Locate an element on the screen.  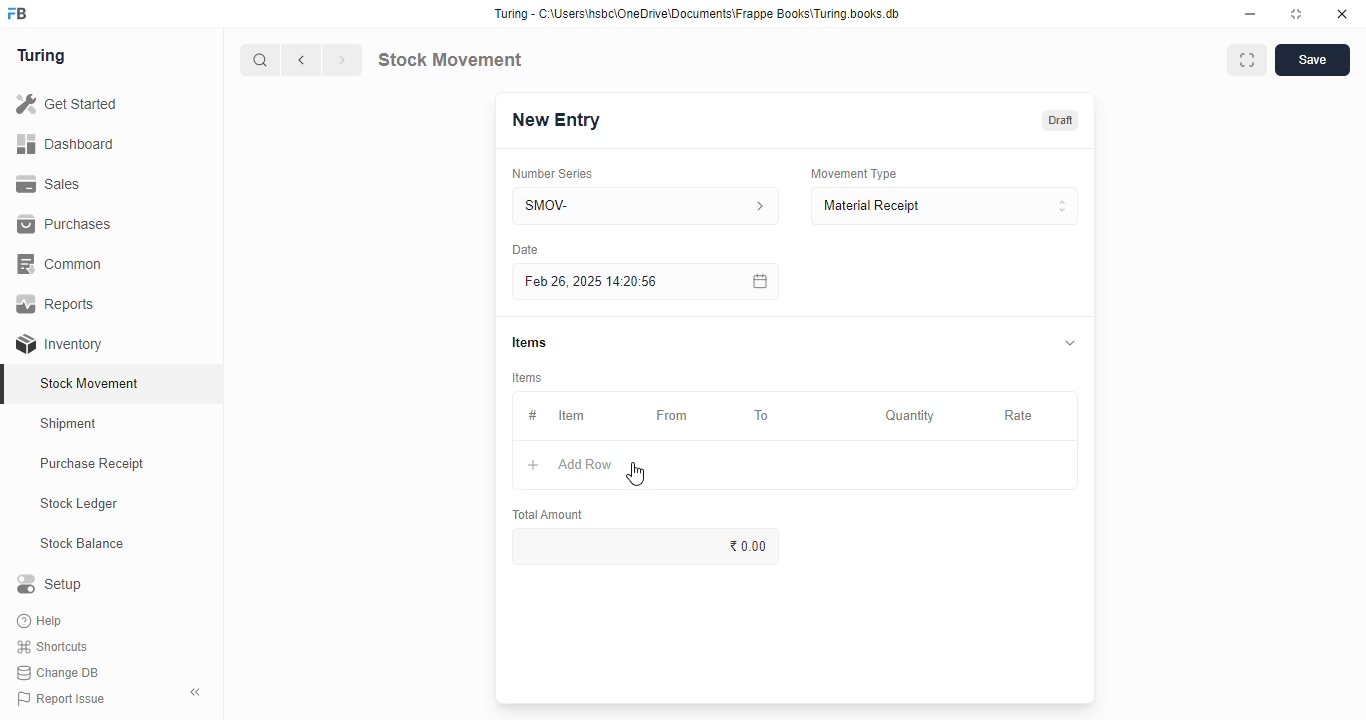
get started is located at coordinates (68, 104).